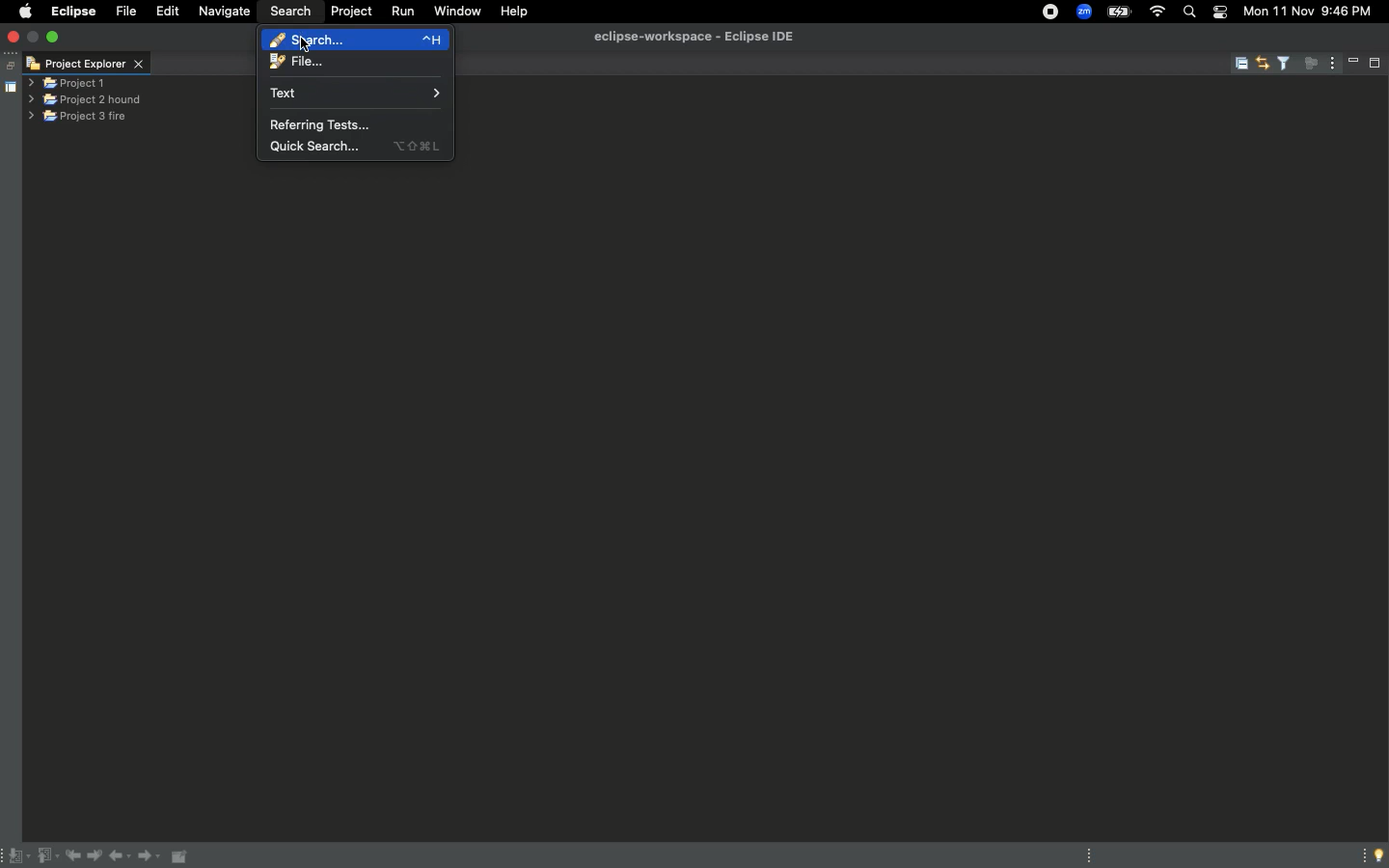 The height and width of the screenshot is (868, 1389). Describe the element at coordinates (355, 12) in the screenshot. I see `Project` at that location.